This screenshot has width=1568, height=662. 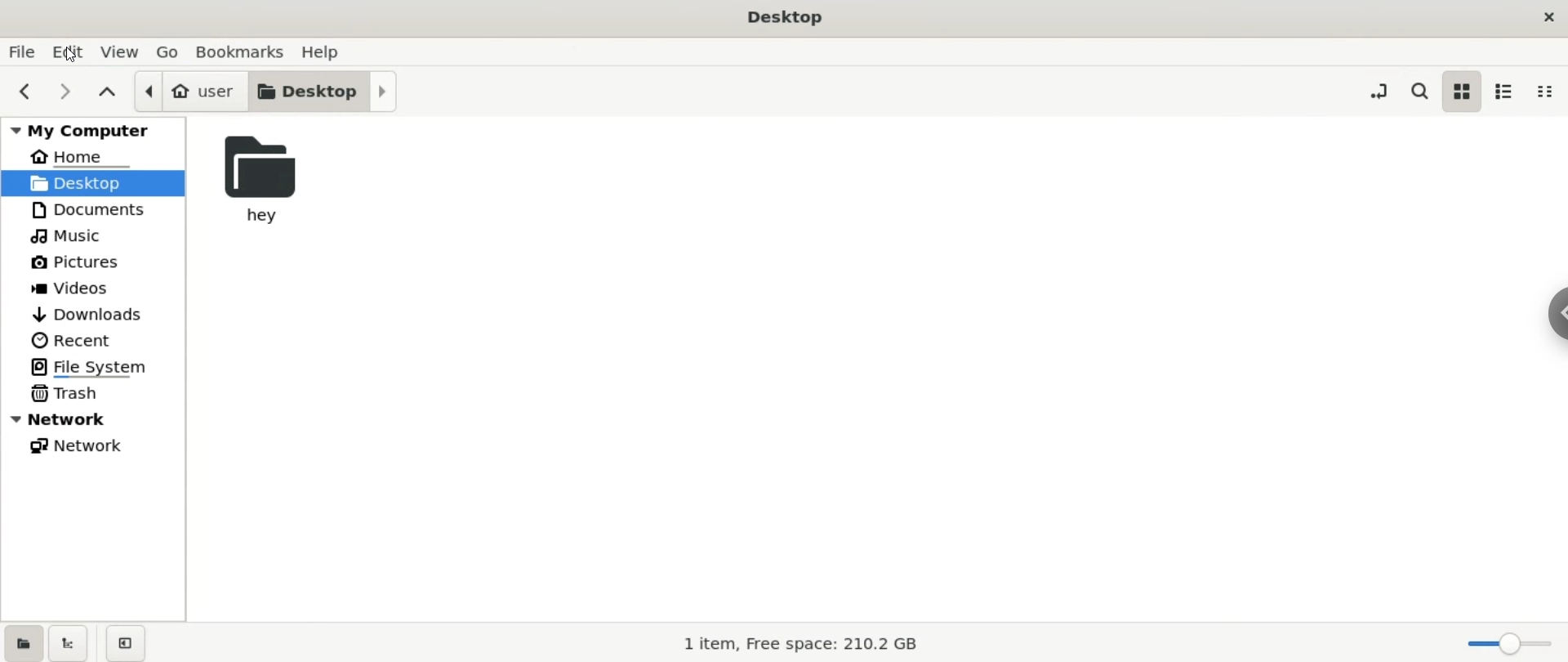 I want to click on show places, so click(x=21, y=644).